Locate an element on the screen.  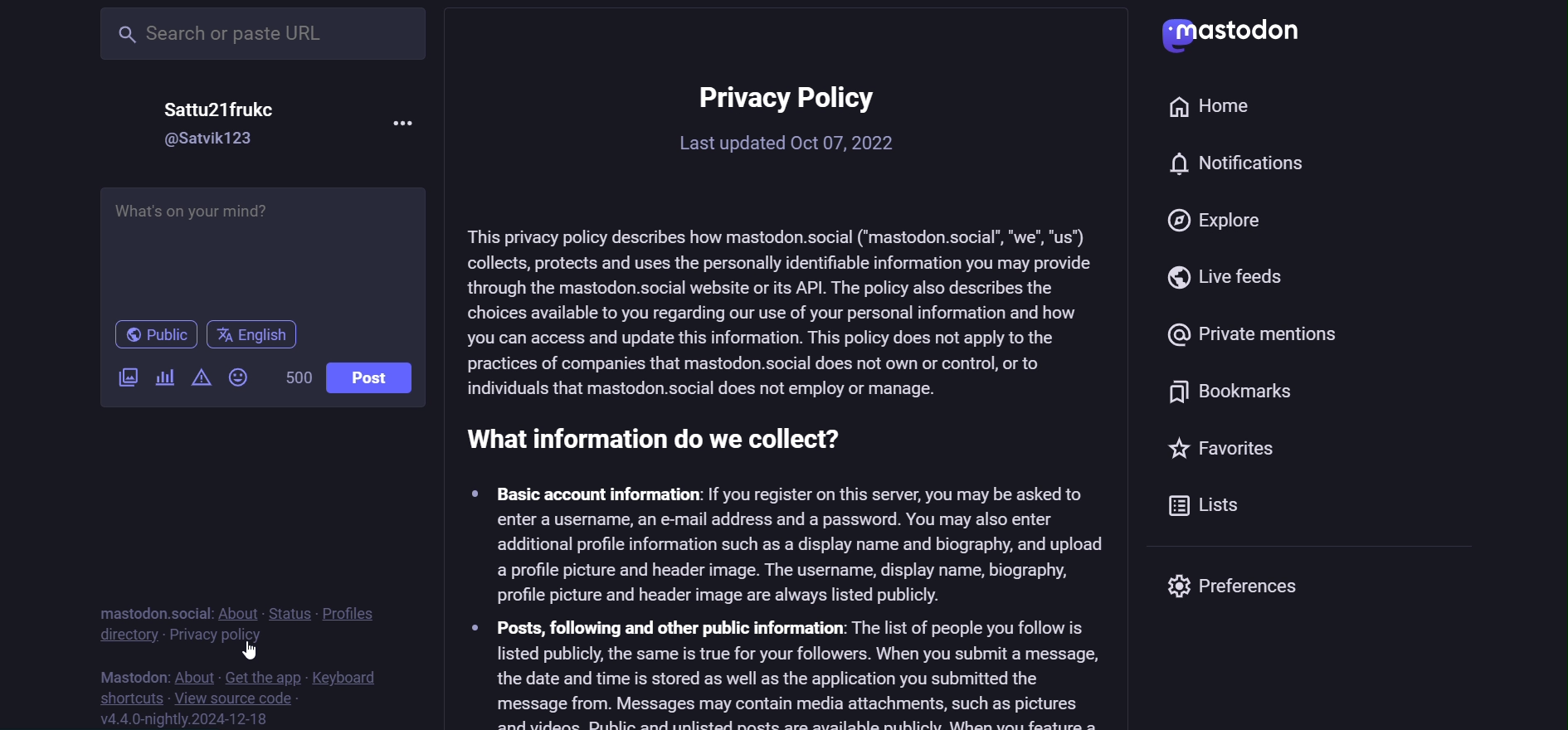
source code is located at coordinates (237, 699).